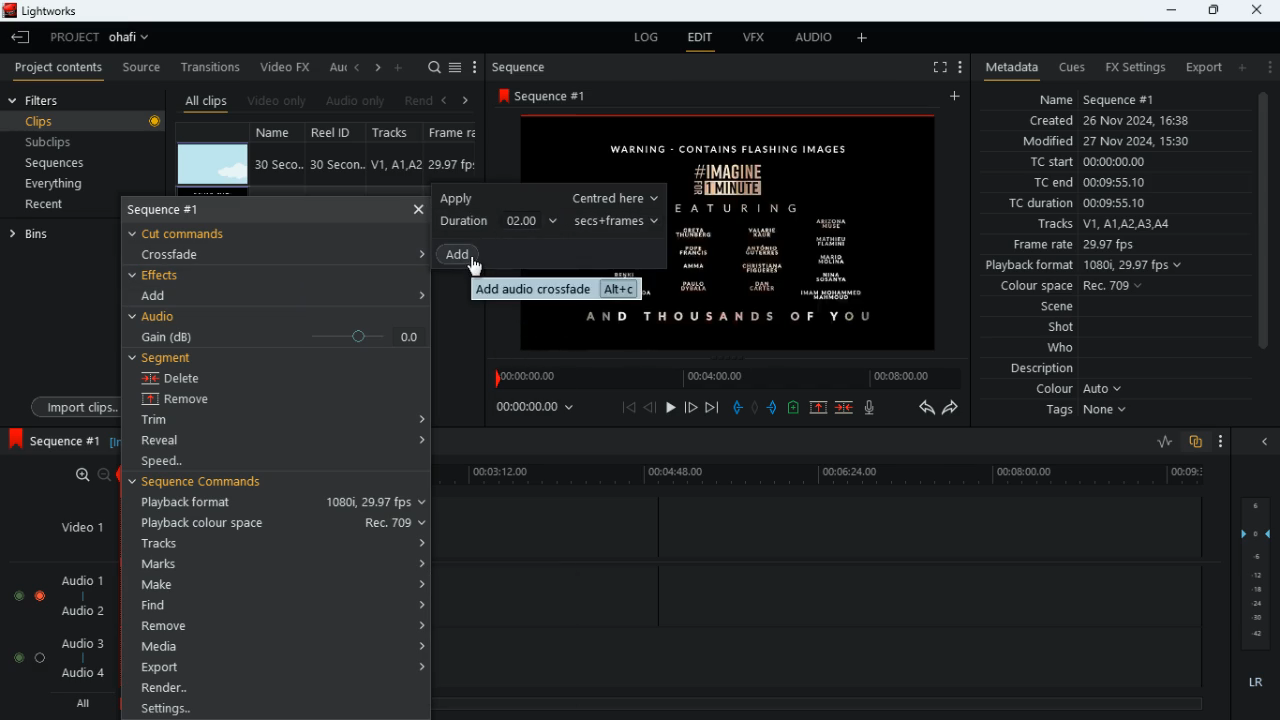 Image resolution: width=1280 pixels, height=720 pixels. I want to click on project, so click(104, 37).